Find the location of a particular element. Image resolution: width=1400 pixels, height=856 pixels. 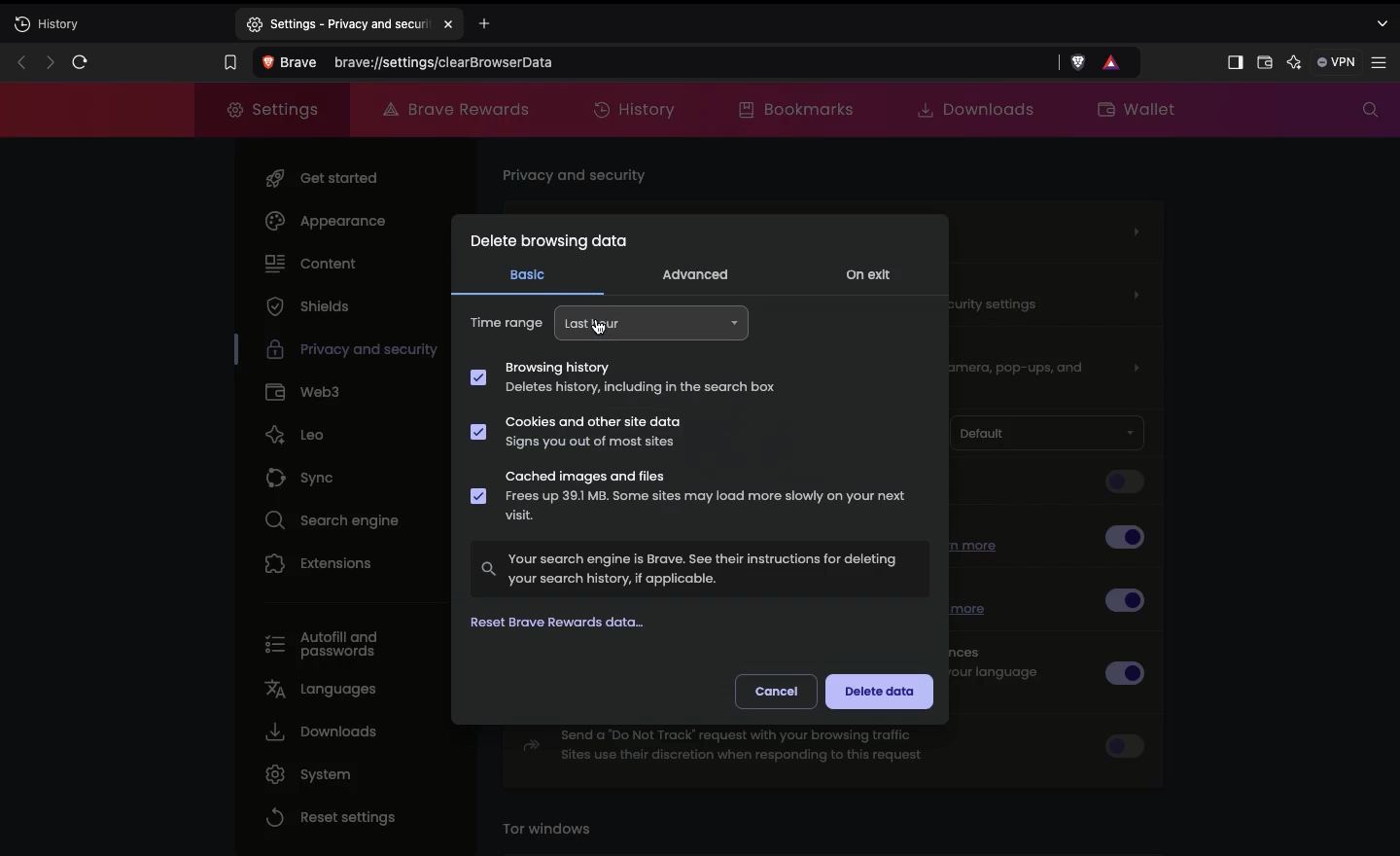

Autofill and passwords is located at coordinates (323, 639).